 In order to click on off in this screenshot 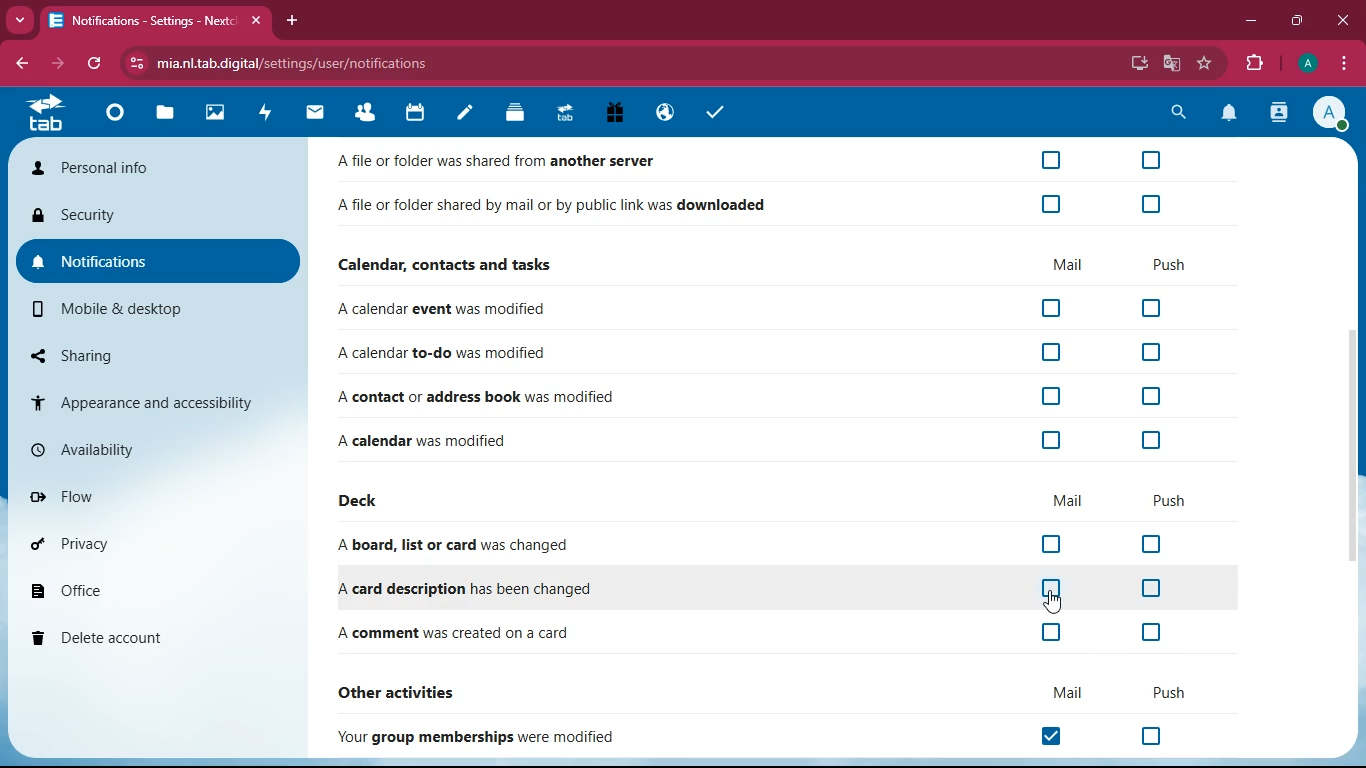, I will do `click(1153, 544)`.